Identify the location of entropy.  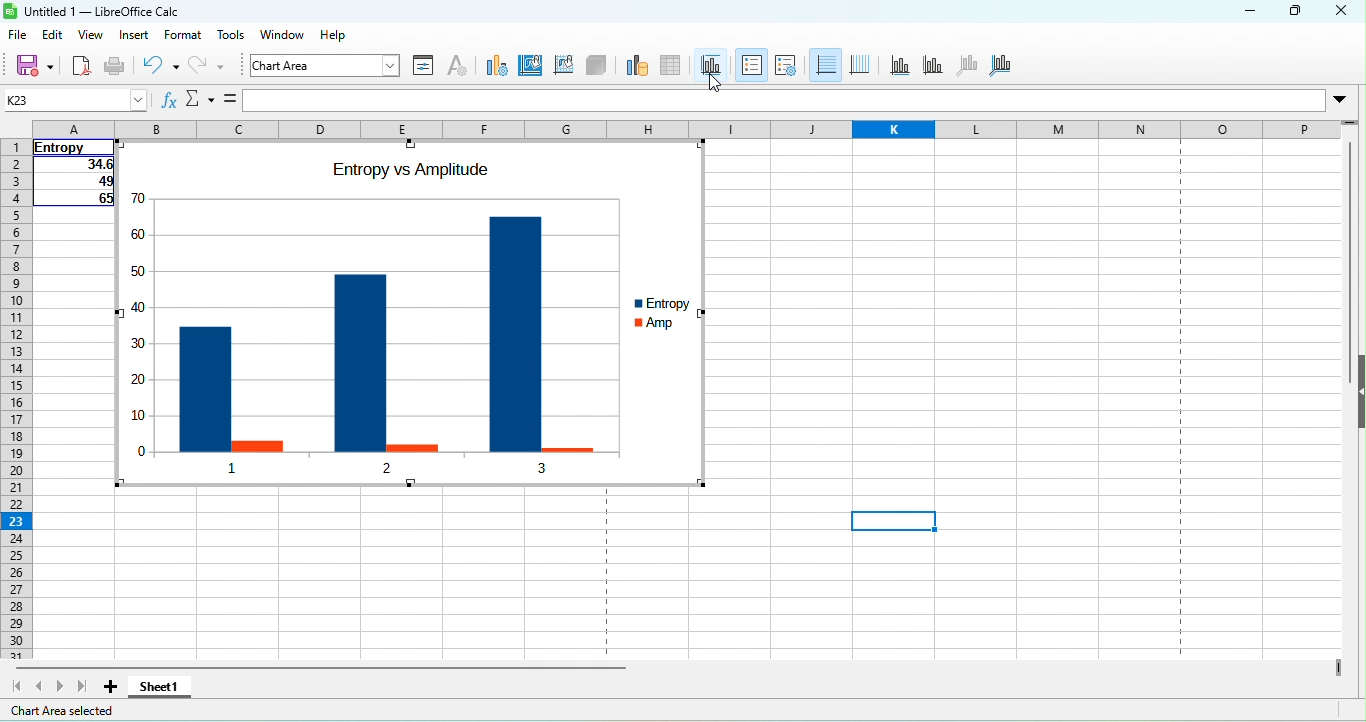
(70, 147).